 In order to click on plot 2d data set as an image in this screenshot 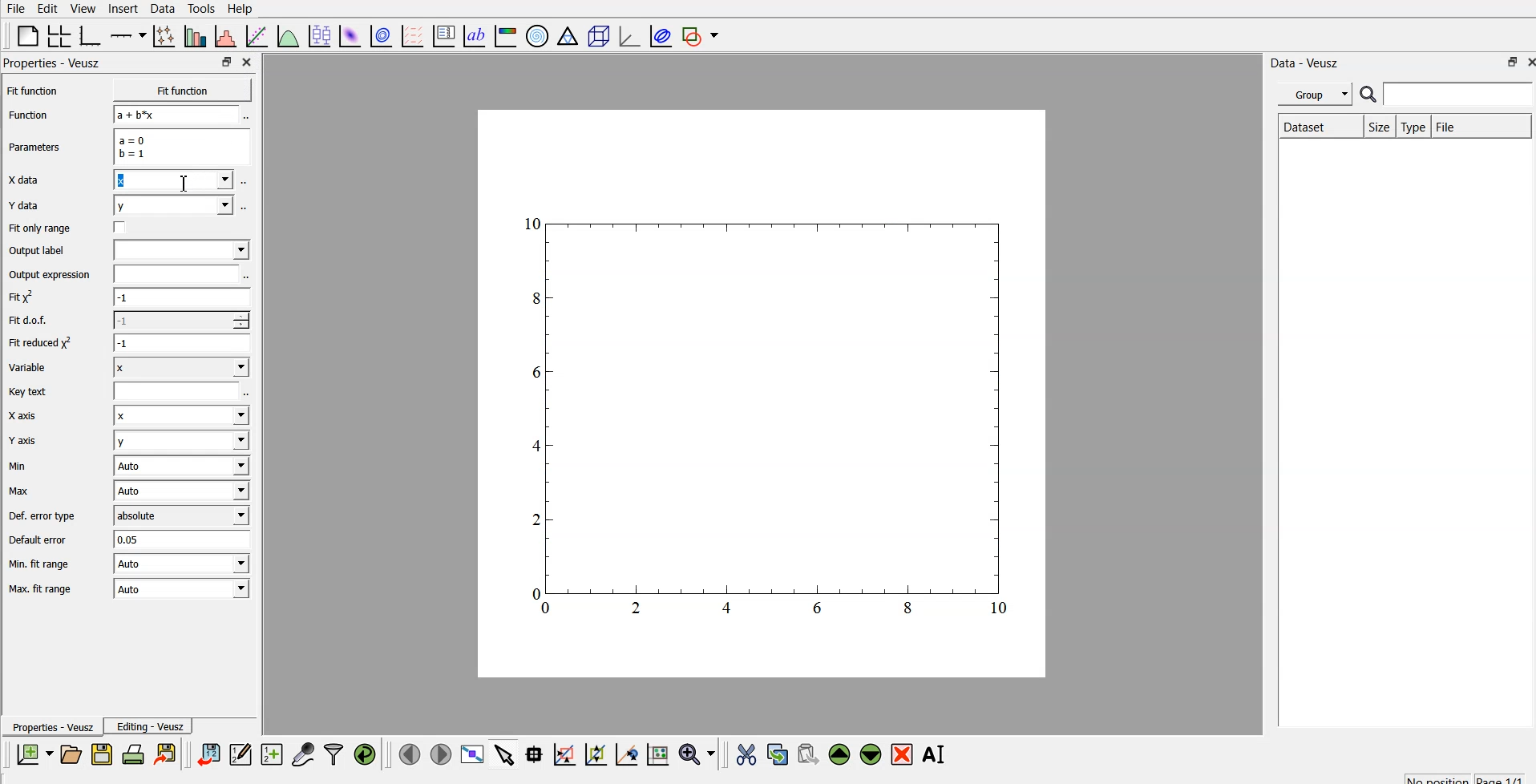, I will do `click(351, 36)`.